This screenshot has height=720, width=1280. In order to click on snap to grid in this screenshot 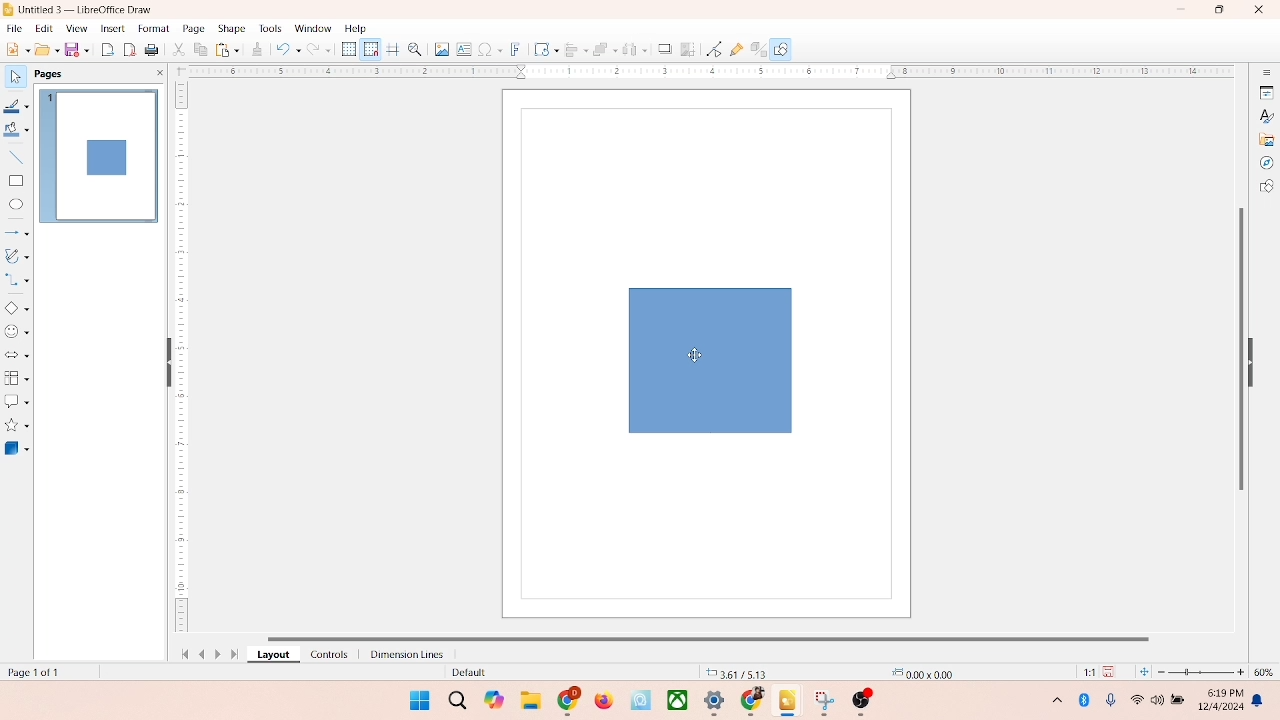, I will do `click(368, 49)`.